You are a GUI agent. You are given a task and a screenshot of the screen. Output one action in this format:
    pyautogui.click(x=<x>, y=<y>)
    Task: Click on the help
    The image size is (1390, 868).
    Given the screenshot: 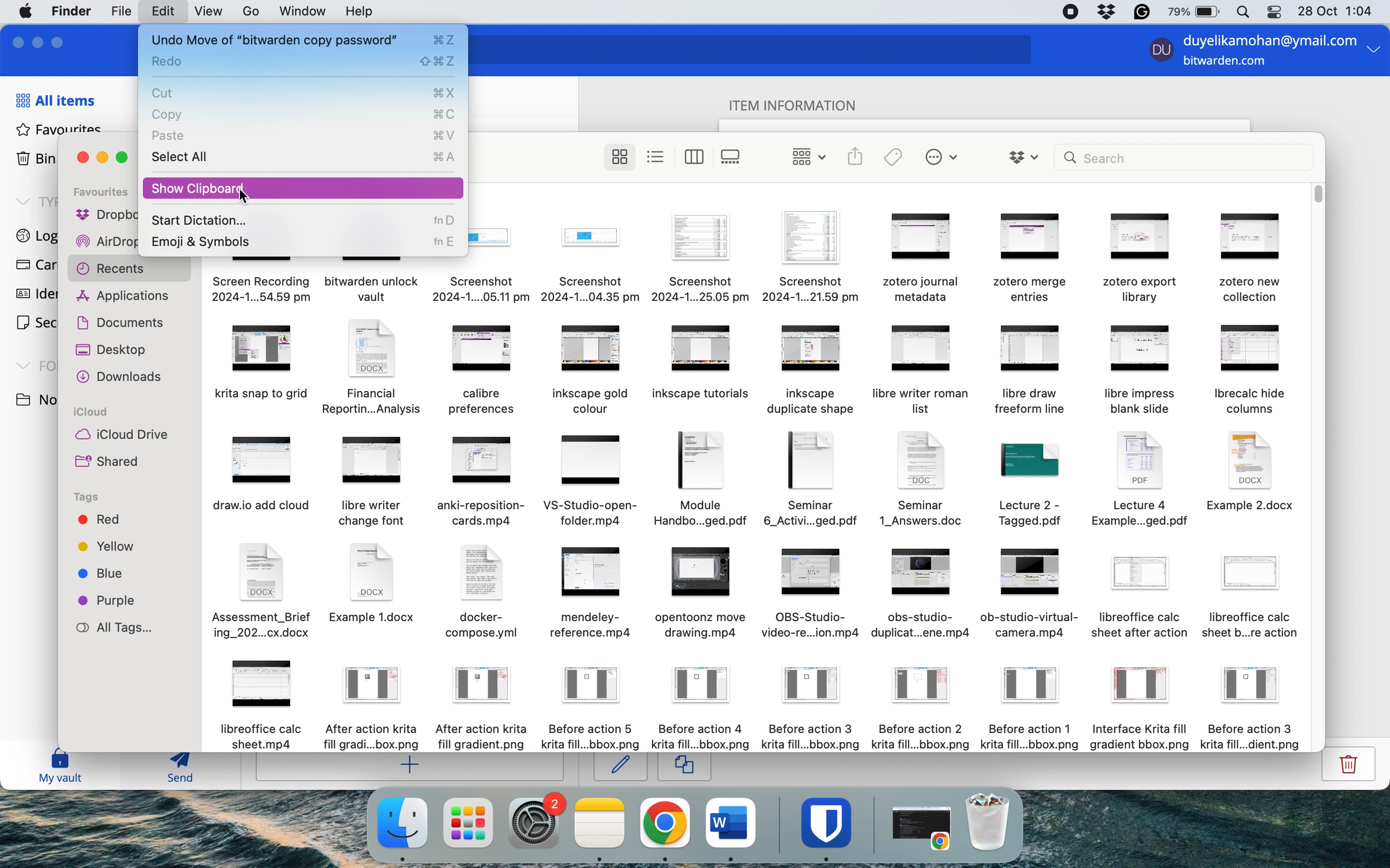 What is the action you would take?
    pyautogui.click(x=364, y=12)
    